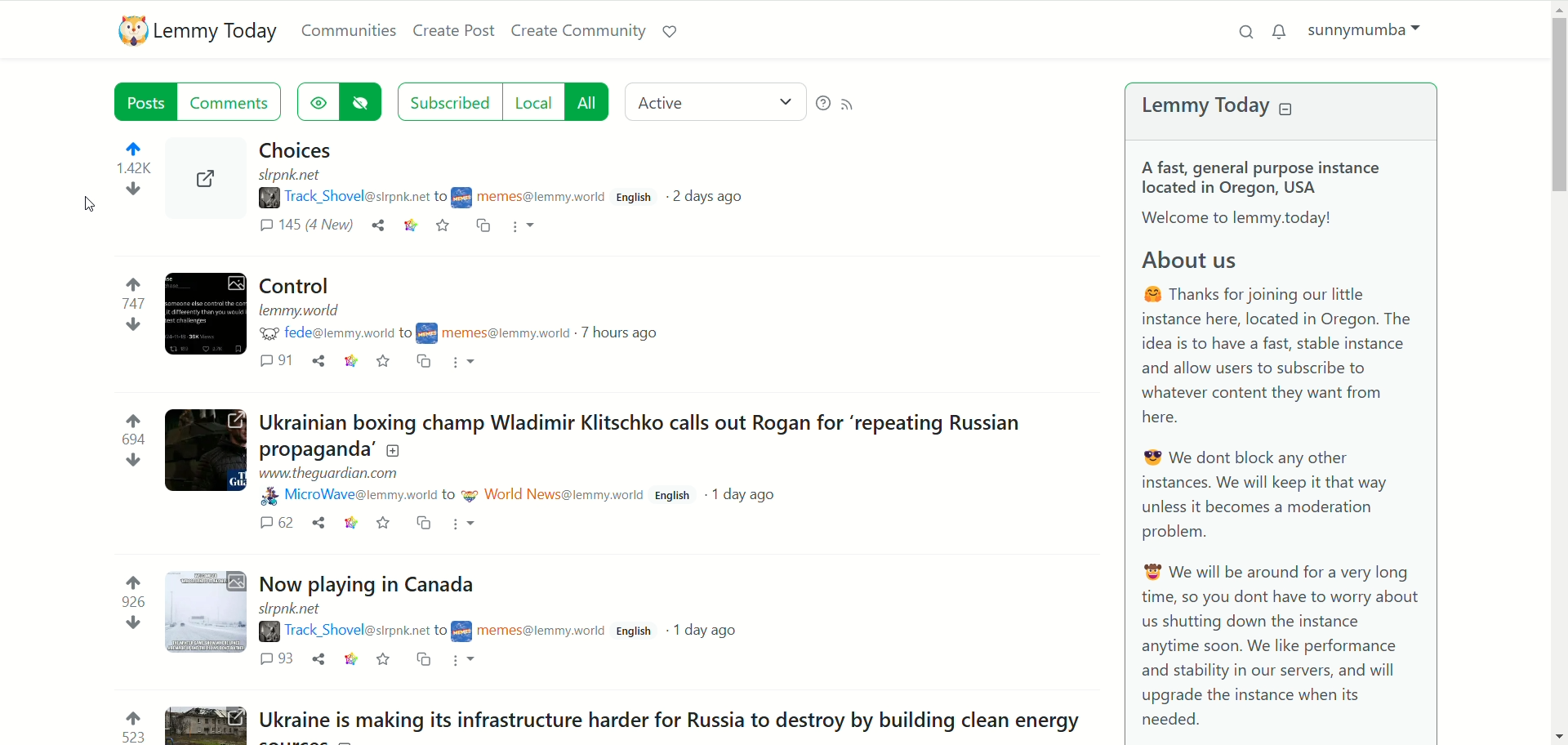 The image size is (1568, 745). What do you see at coordinates (421, 361) in the screenshot?
I see `copy` at bounding box center [421, 361].